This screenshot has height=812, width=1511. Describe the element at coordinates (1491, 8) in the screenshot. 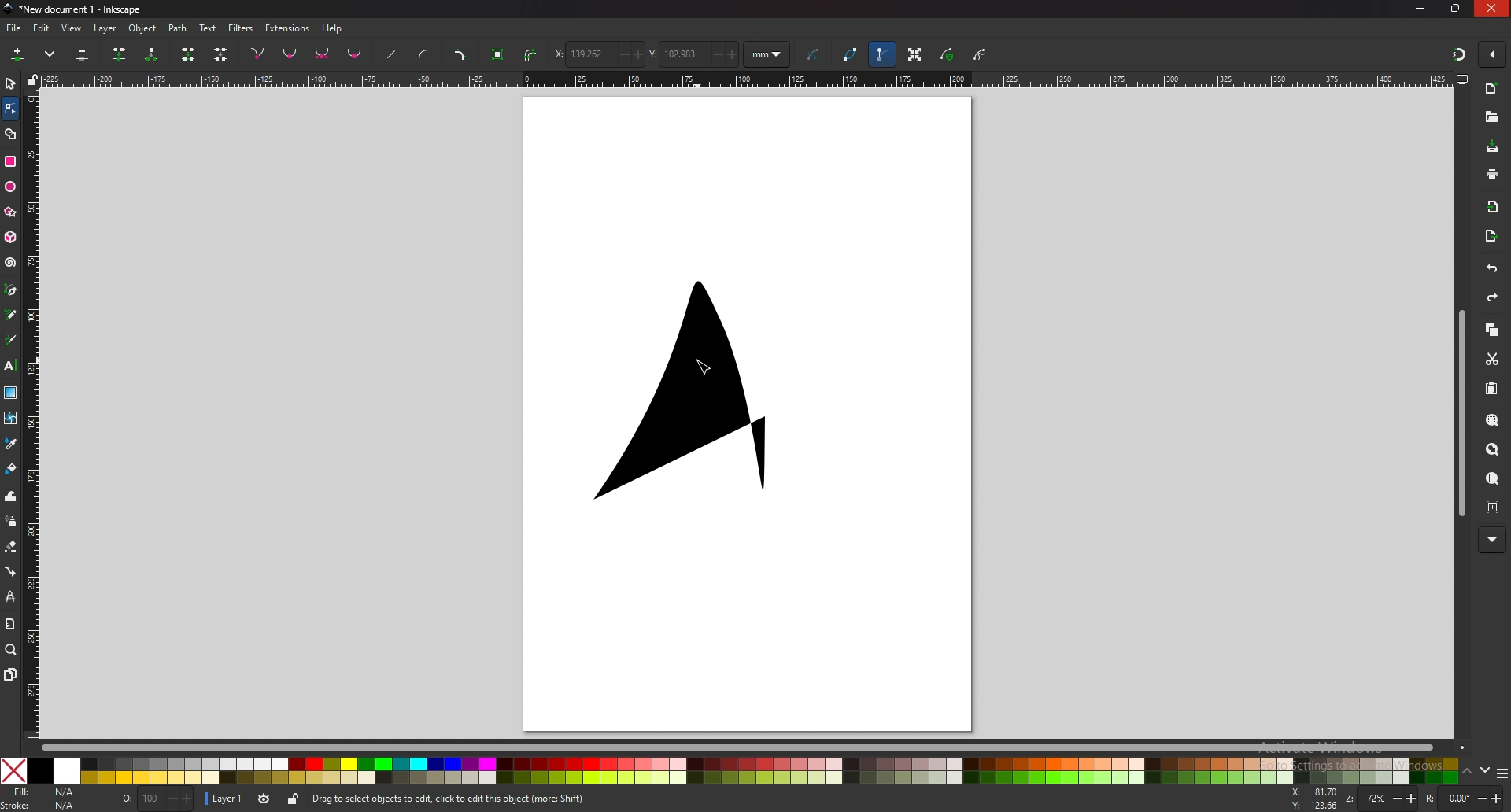

I see `close` at that location.